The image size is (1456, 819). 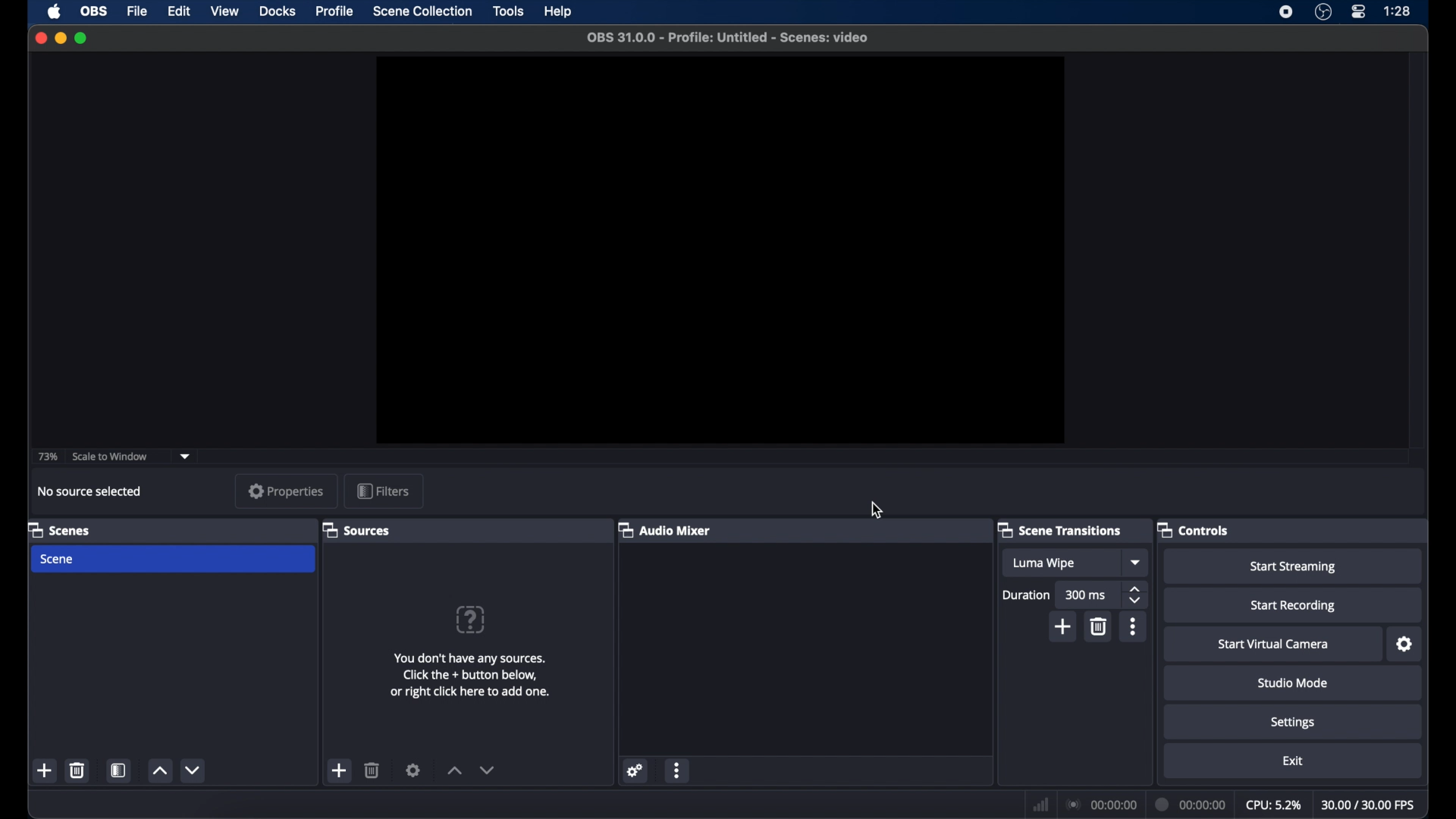 I want to click on scene transitions, so click(x=1063, y=531).